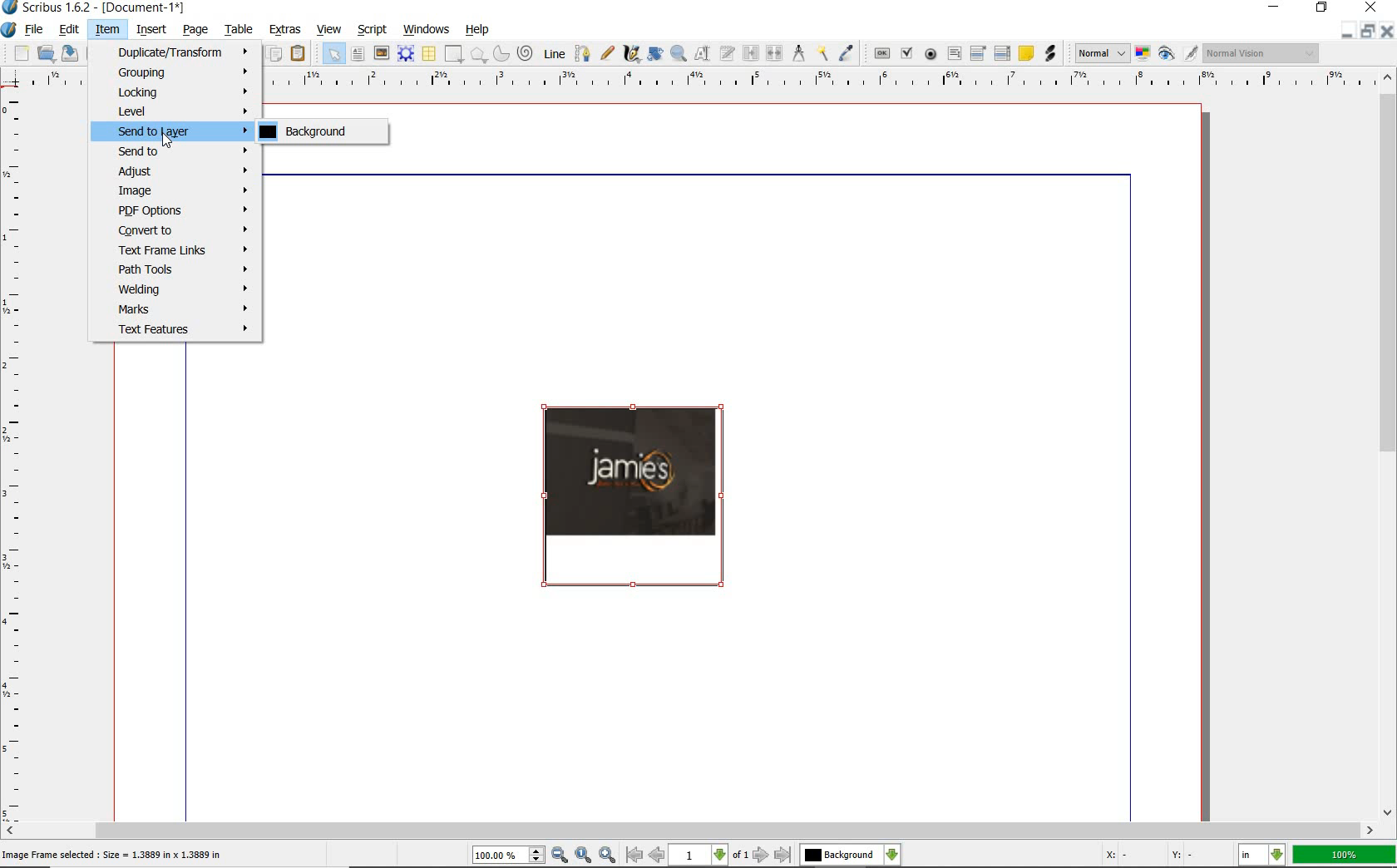  What do you see at coordinates (631, 55) in the screenshot?
I see `calligraphic line` at bounding box center [631, 55].